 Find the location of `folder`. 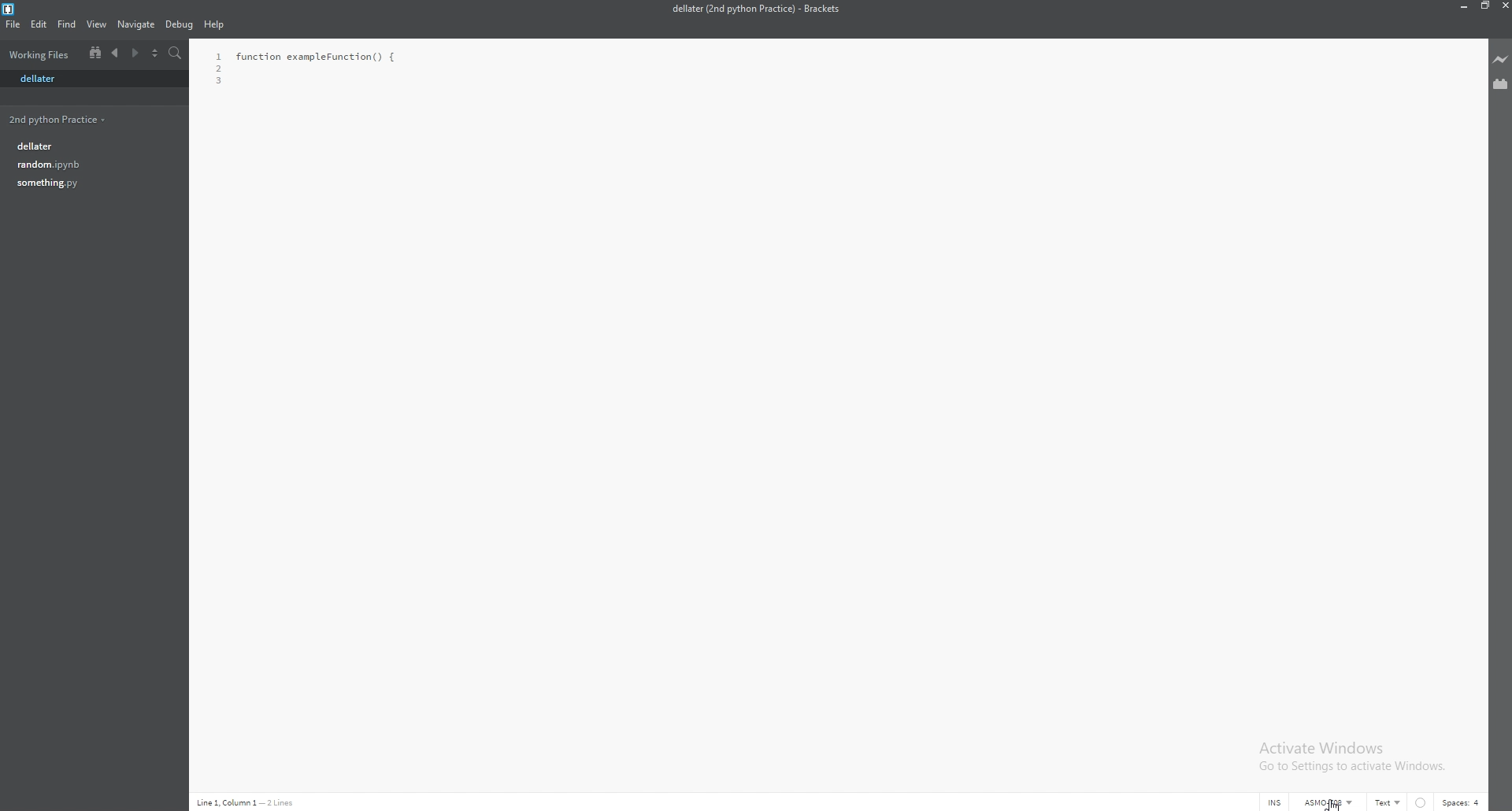

folder is located at coordinates (42, 54).